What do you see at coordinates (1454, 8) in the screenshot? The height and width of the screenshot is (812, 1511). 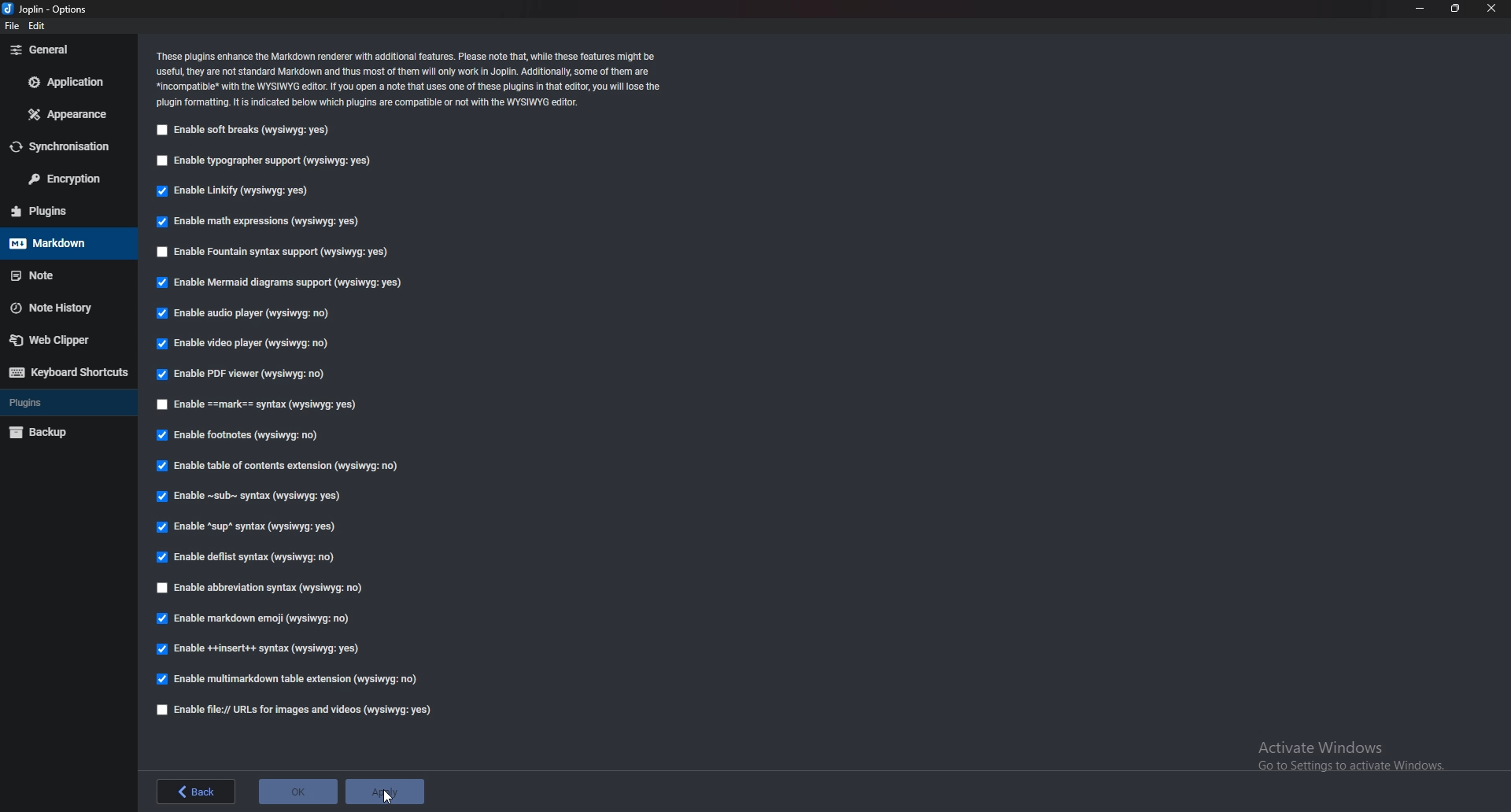 I see `Resize` at bounding box center [1454, 8].